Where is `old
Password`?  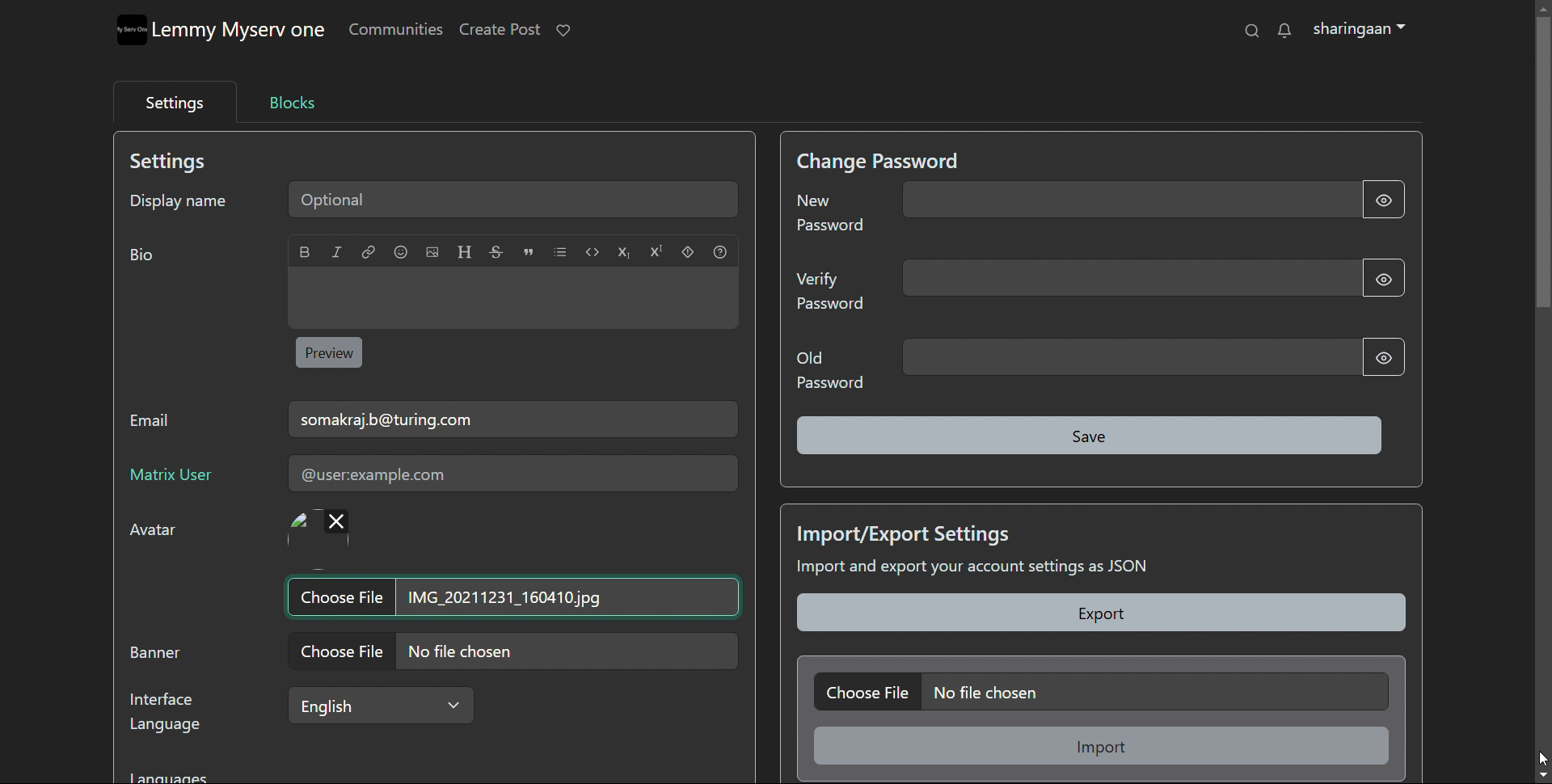 old
Password is located at coordinates (829, 369).